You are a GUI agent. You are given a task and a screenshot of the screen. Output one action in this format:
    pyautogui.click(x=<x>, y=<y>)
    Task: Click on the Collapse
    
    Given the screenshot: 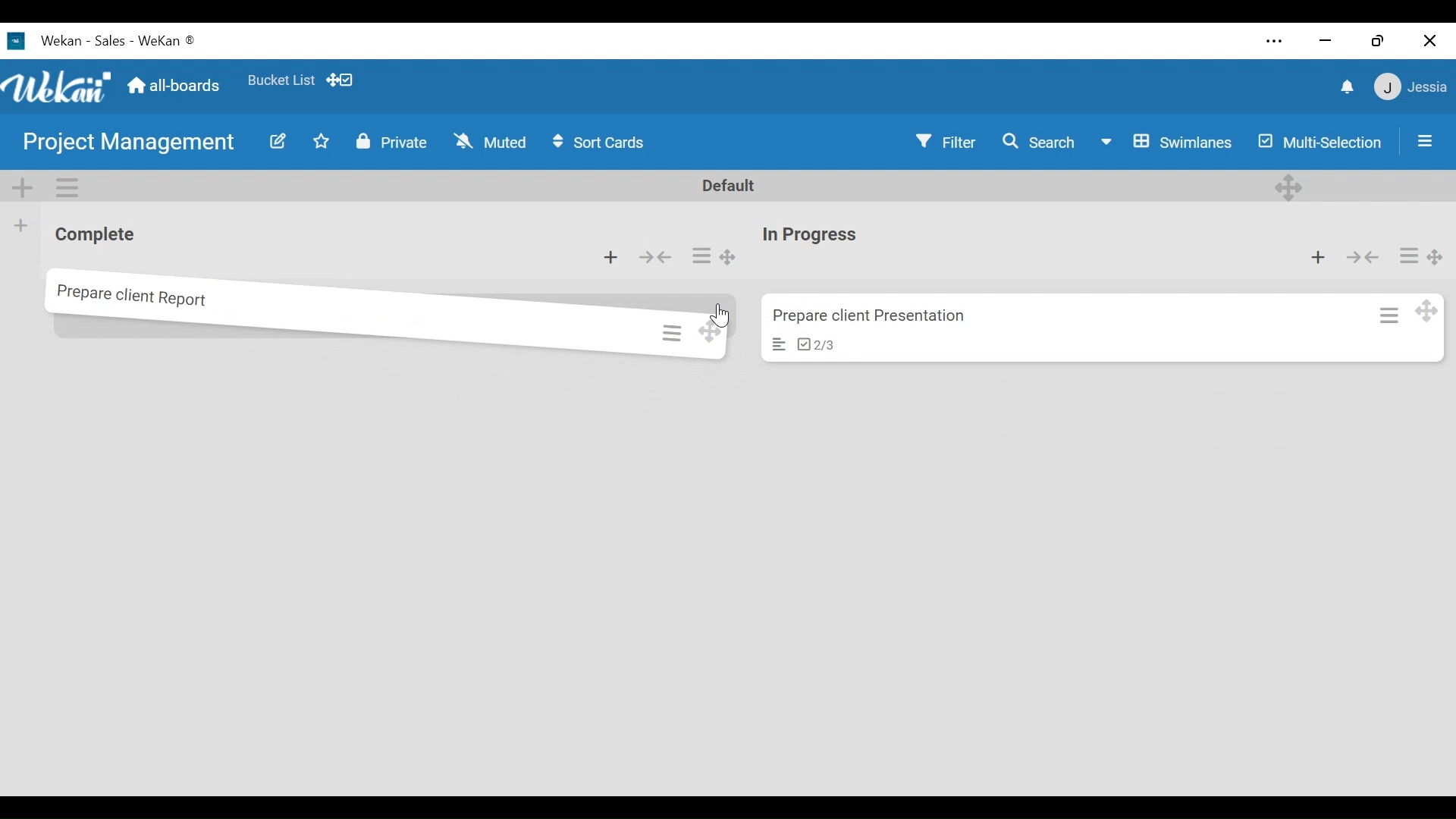 What is the action you would take?
    pyautogui.click(x=1364, y=258)
    